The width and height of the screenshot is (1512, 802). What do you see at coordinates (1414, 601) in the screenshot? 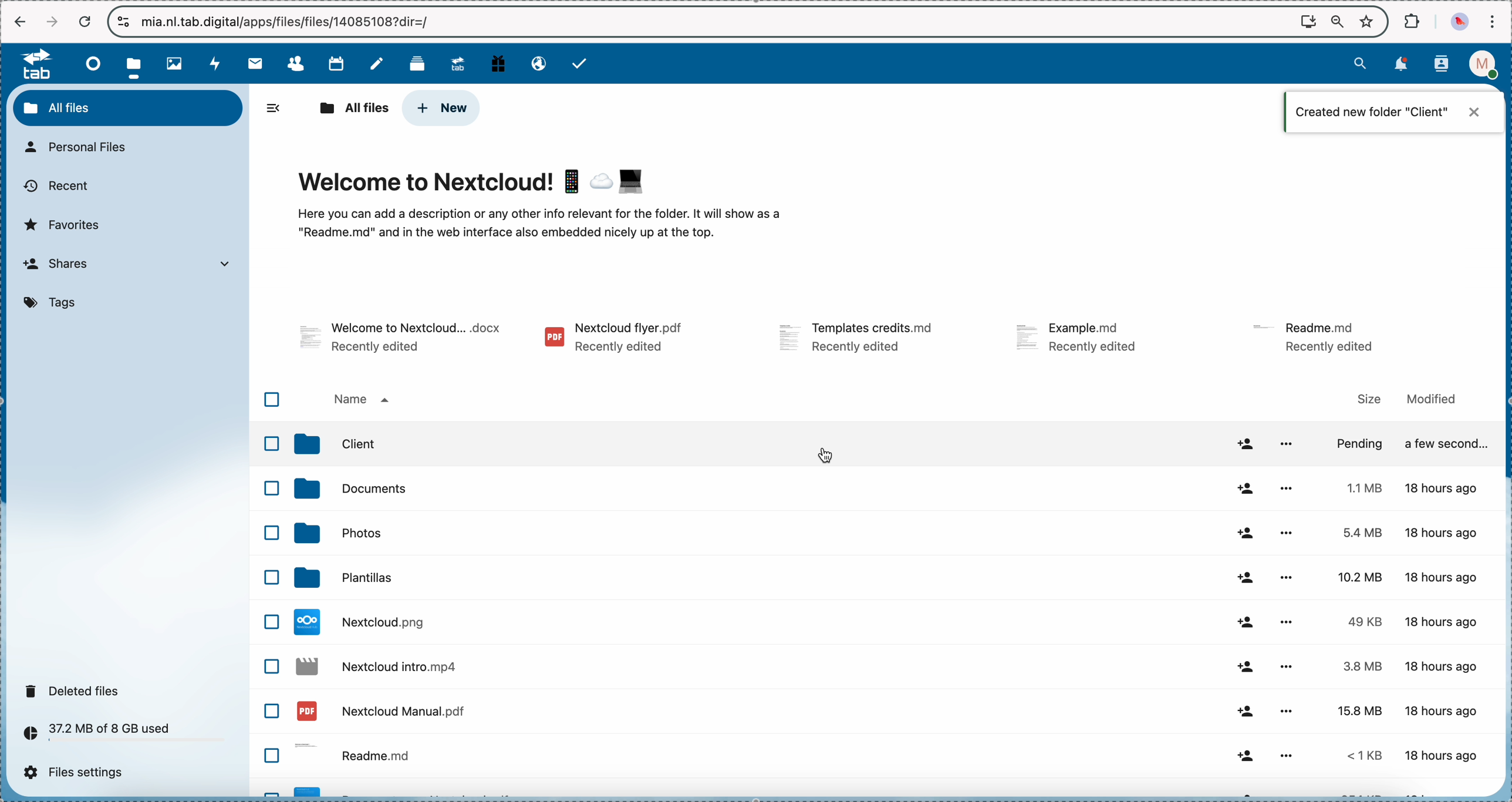
I see `size and modified data` at bounding box center [1414, 601].